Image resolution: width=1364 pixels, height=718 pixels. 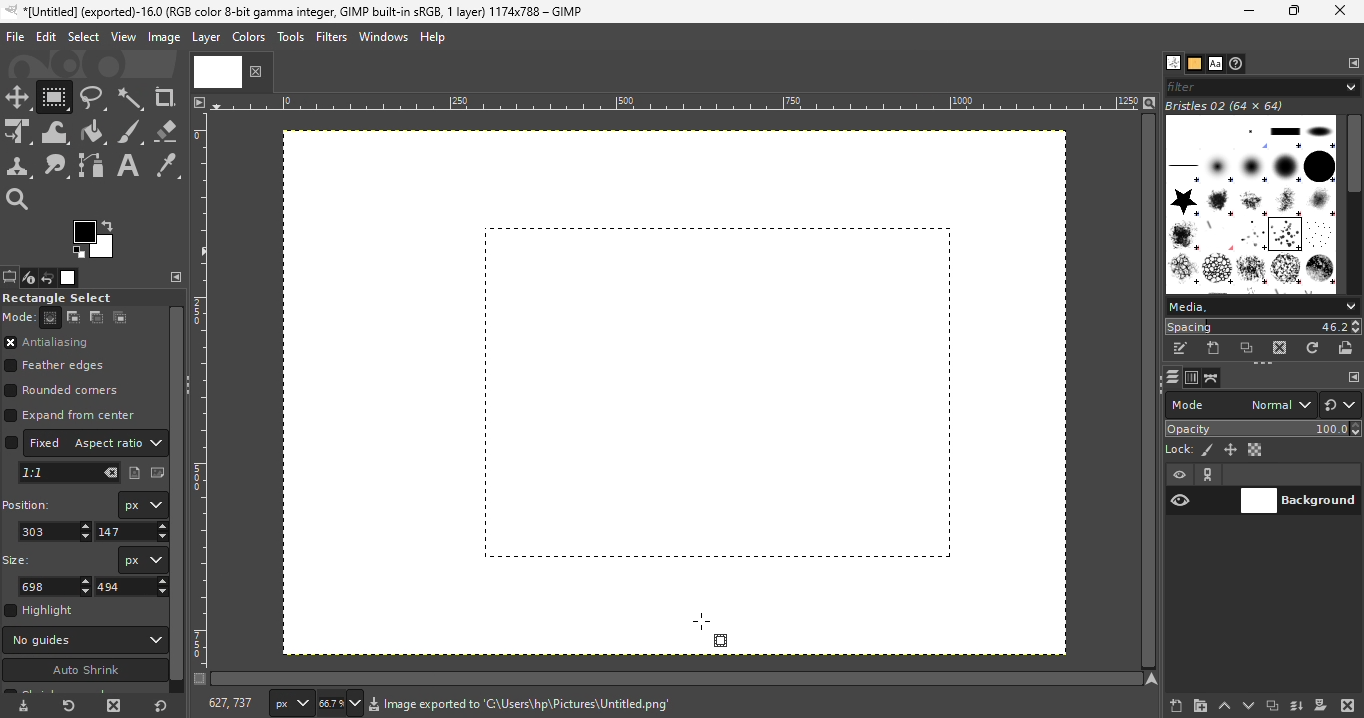 I want to click on visibility, so click(x=1180, y=501).